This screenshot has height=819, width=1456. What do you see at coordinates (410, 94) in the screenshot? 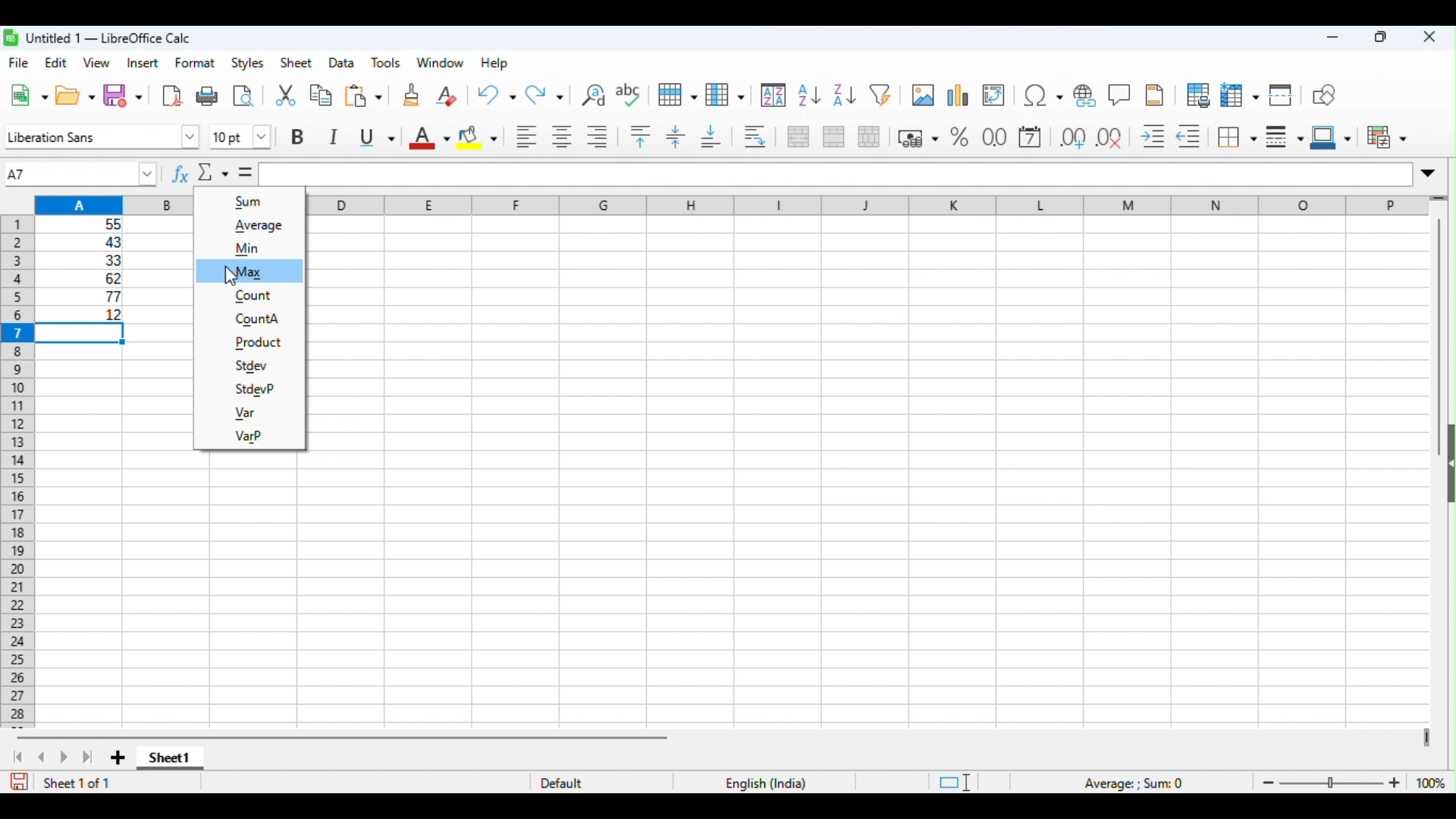
I see `clone` at bounding box center [410, 94].